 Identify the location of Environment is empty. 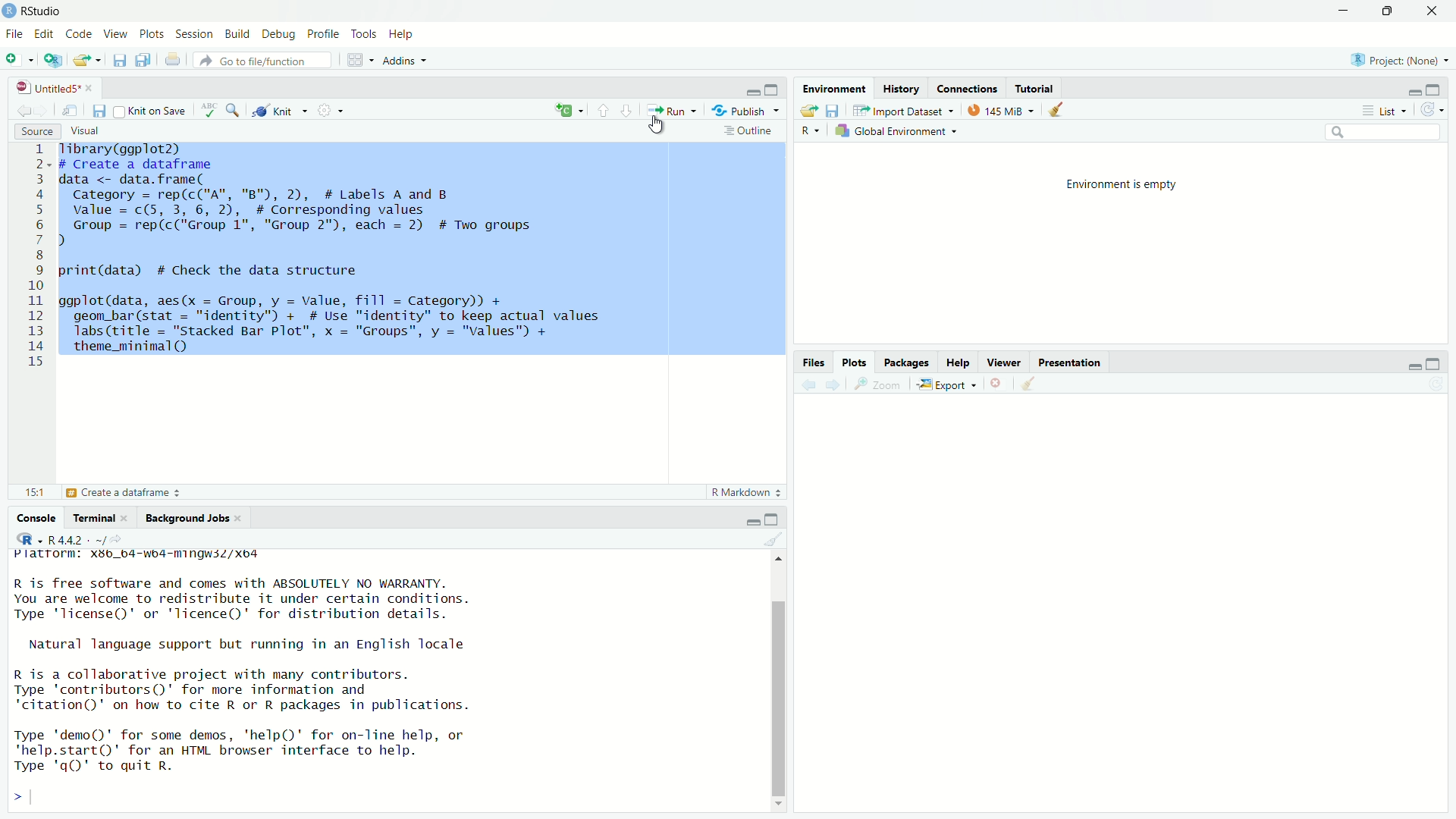
(1125, 184).